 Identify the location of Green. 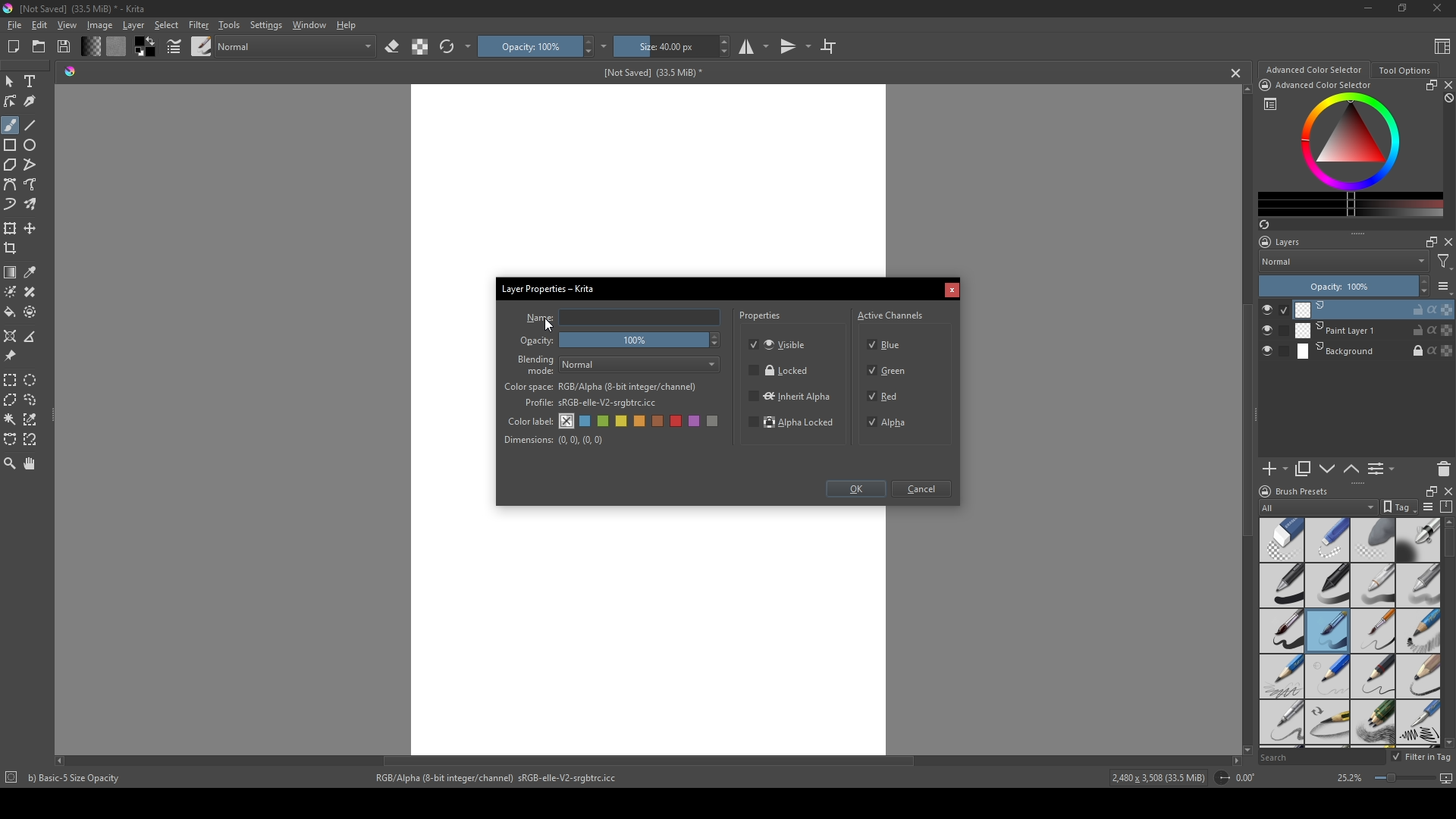
(889, 372).